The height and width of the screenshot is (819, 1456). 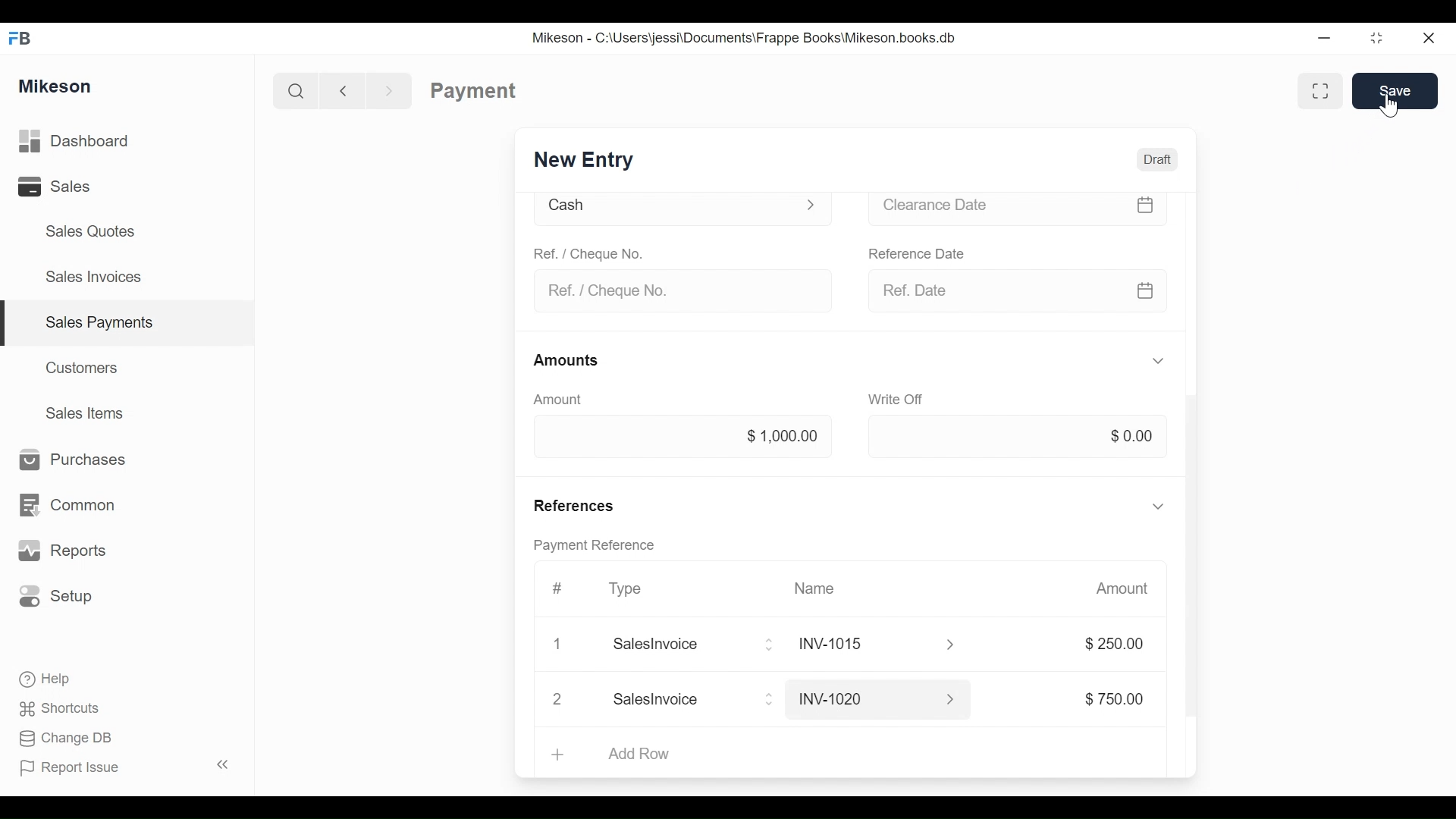 What do you see at coordinates (1123, 588) in the screenshot?
I see `Amount` at bounding box center [1123, 588].